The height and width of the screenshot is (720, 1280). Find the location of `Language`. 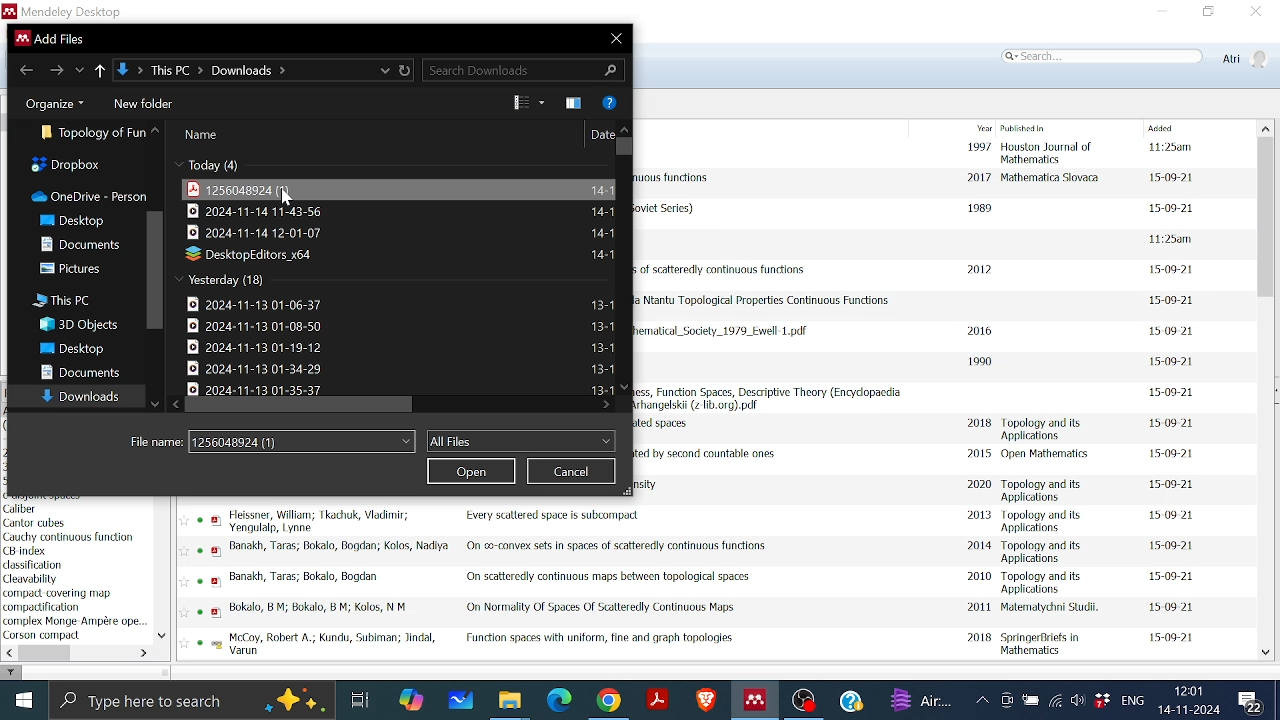

Language is located at coordinates (1132, 699).